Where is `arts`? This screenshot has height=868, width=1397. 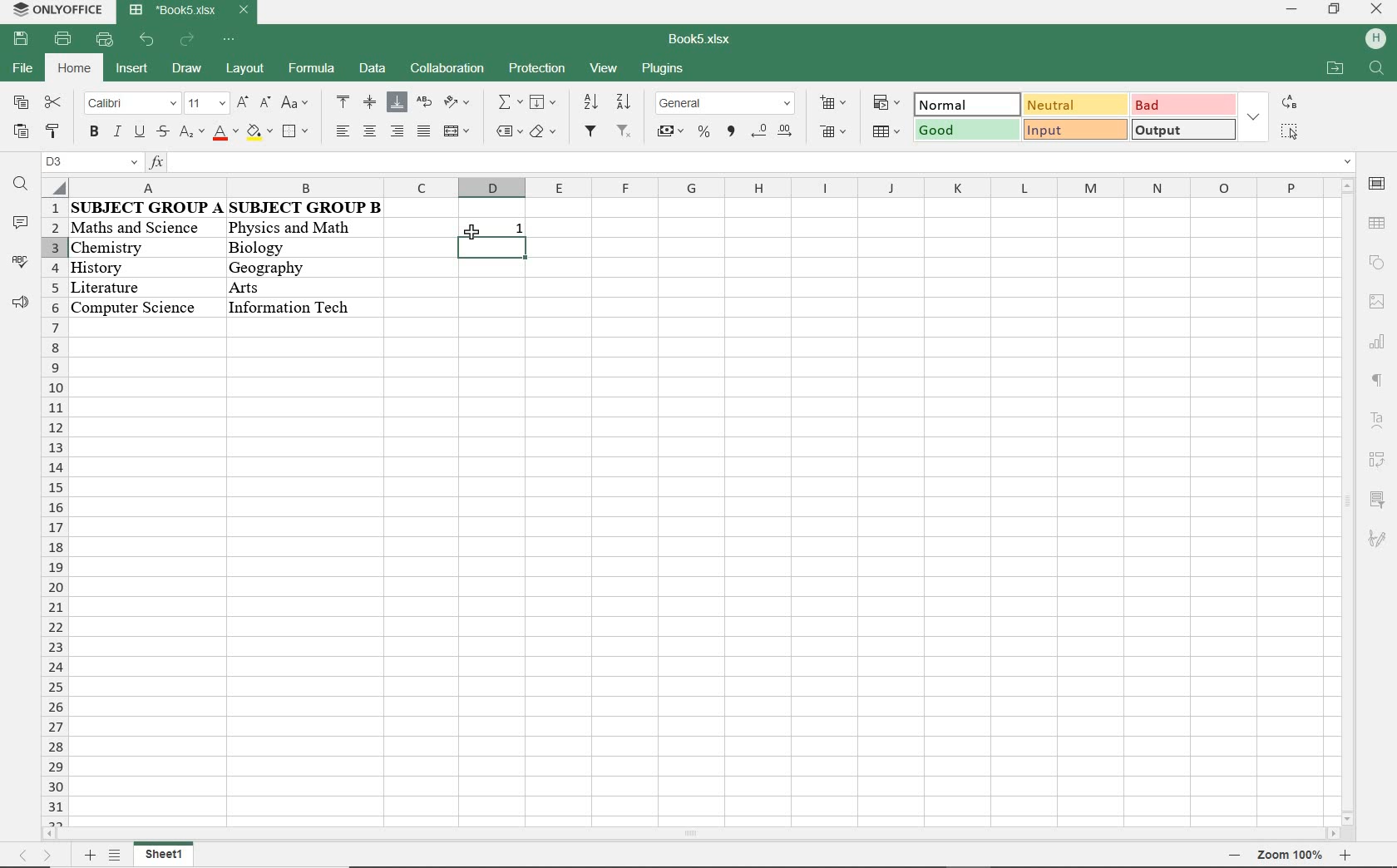 arts is located at coordinates (284, 287).